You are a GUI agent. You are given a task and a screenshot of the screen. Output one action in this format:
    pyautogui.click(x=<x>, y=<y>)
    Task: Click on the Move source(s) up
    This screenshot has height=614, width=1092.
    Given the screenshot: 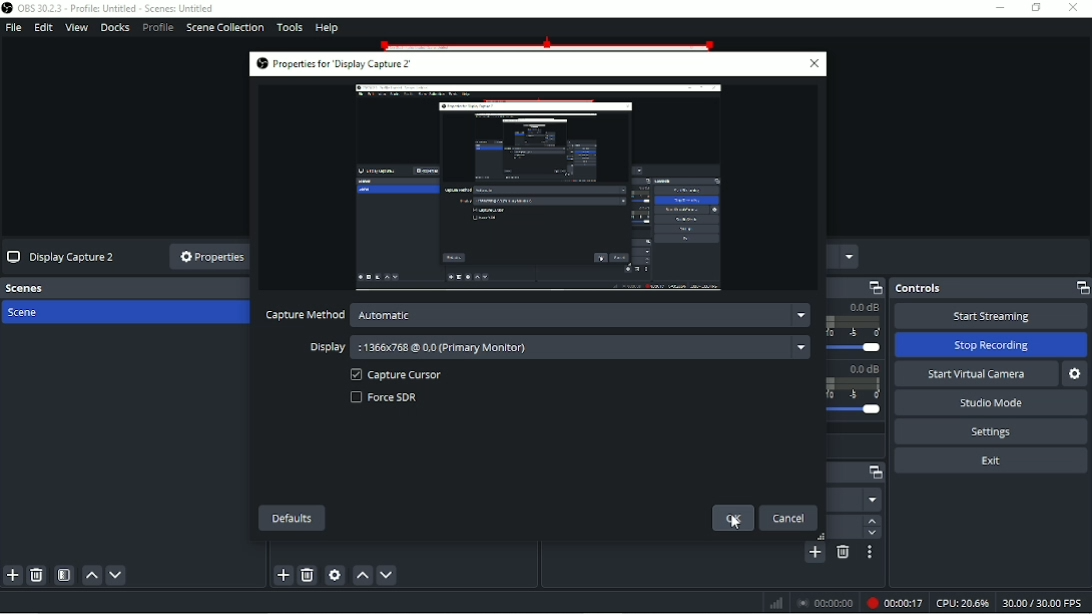 What is the action you would take?
    pyautogui.click(x=362, y=575)
    